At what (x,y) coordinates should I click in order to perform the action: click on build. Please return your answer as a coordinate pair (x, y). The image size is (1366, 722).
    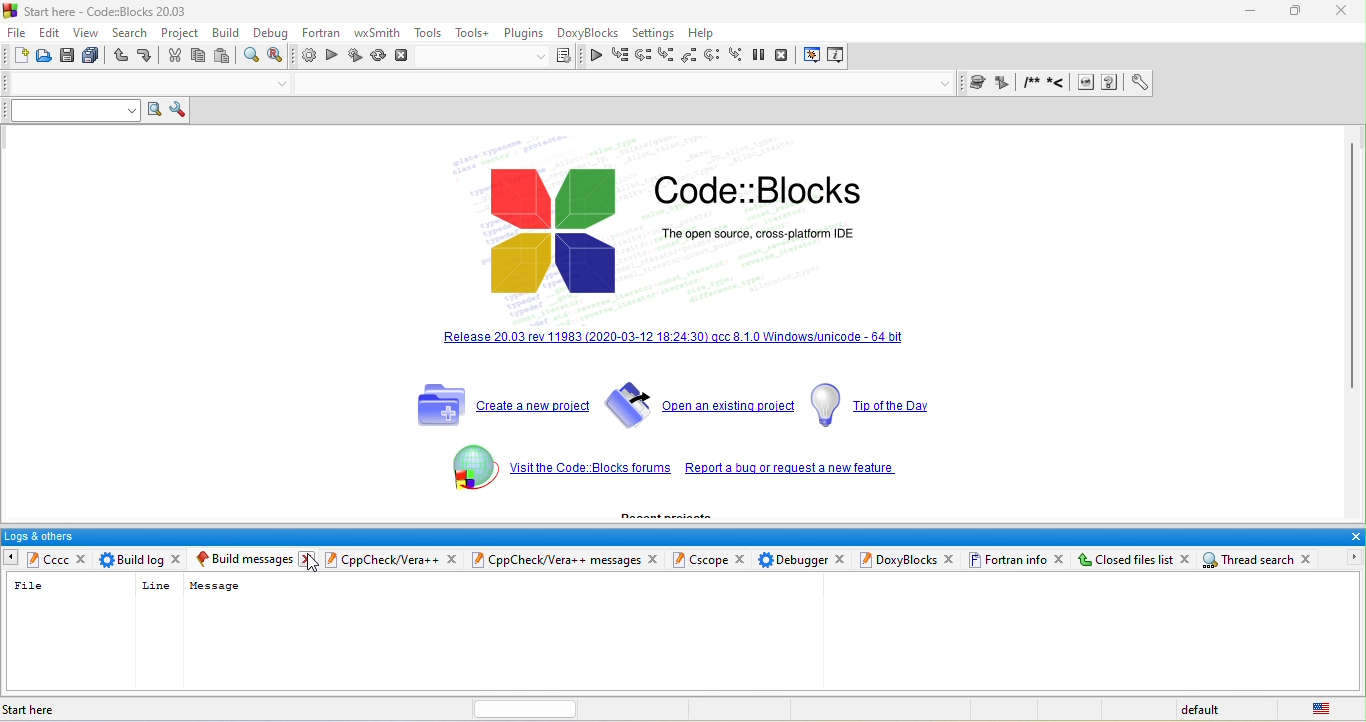
    Looking at the image, I should click on (231, 34).